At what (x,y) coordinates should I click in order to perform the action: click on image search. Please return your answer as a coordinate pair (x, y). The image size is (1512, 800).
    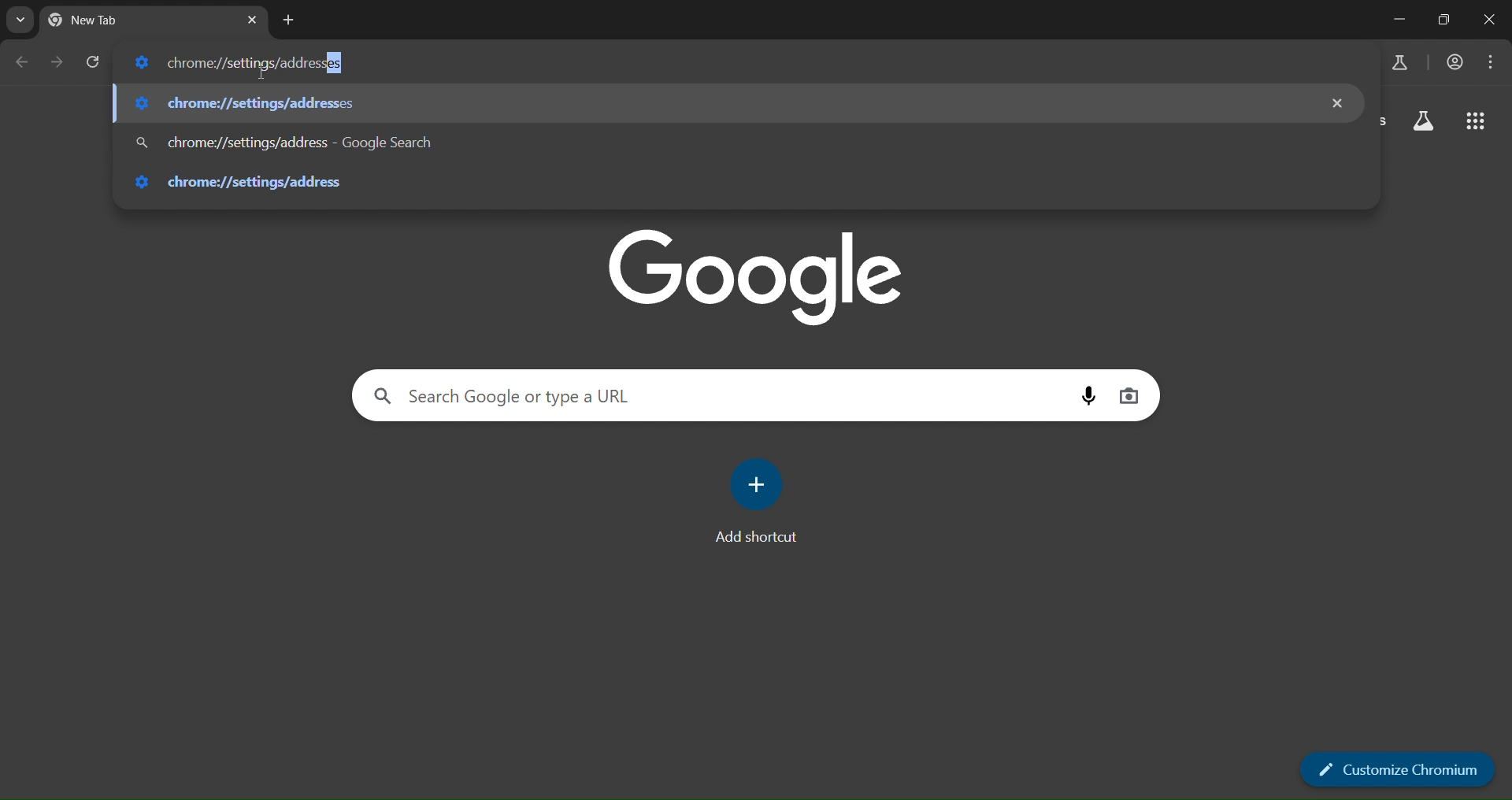
    Looking at the image, I should click on (1129, 398).